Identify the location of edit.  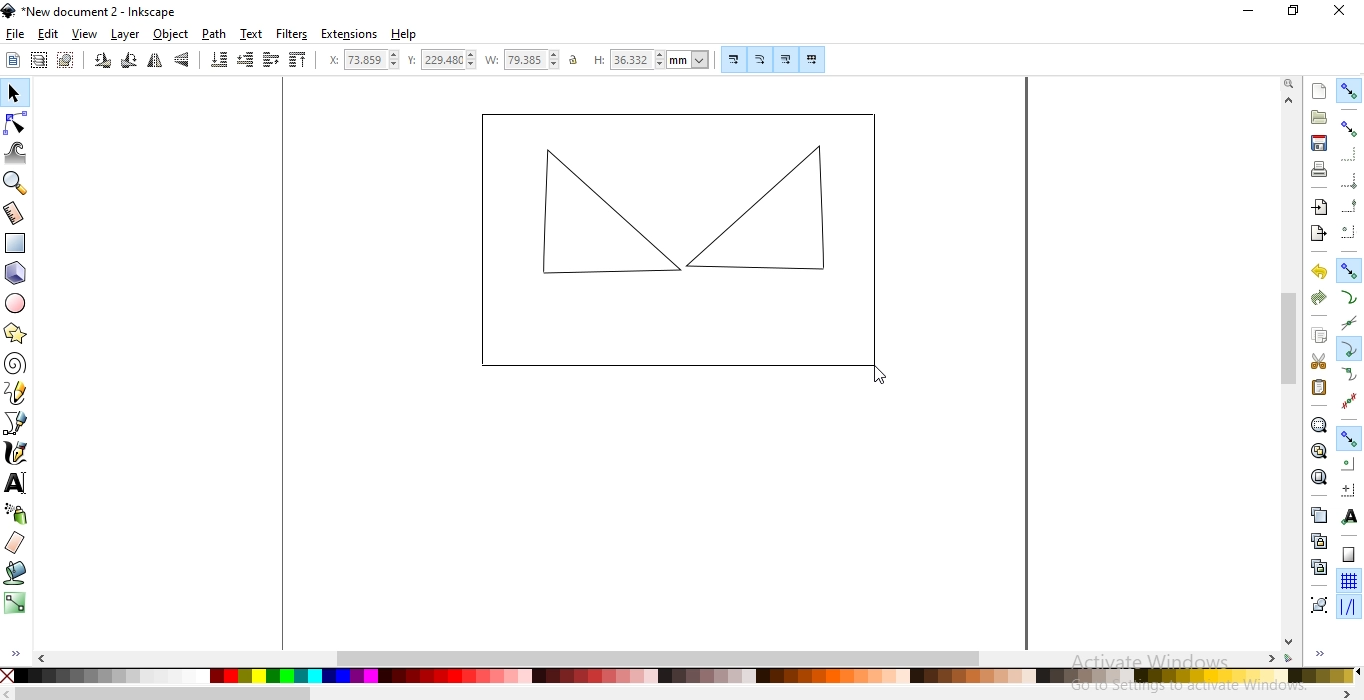
(49, 34).